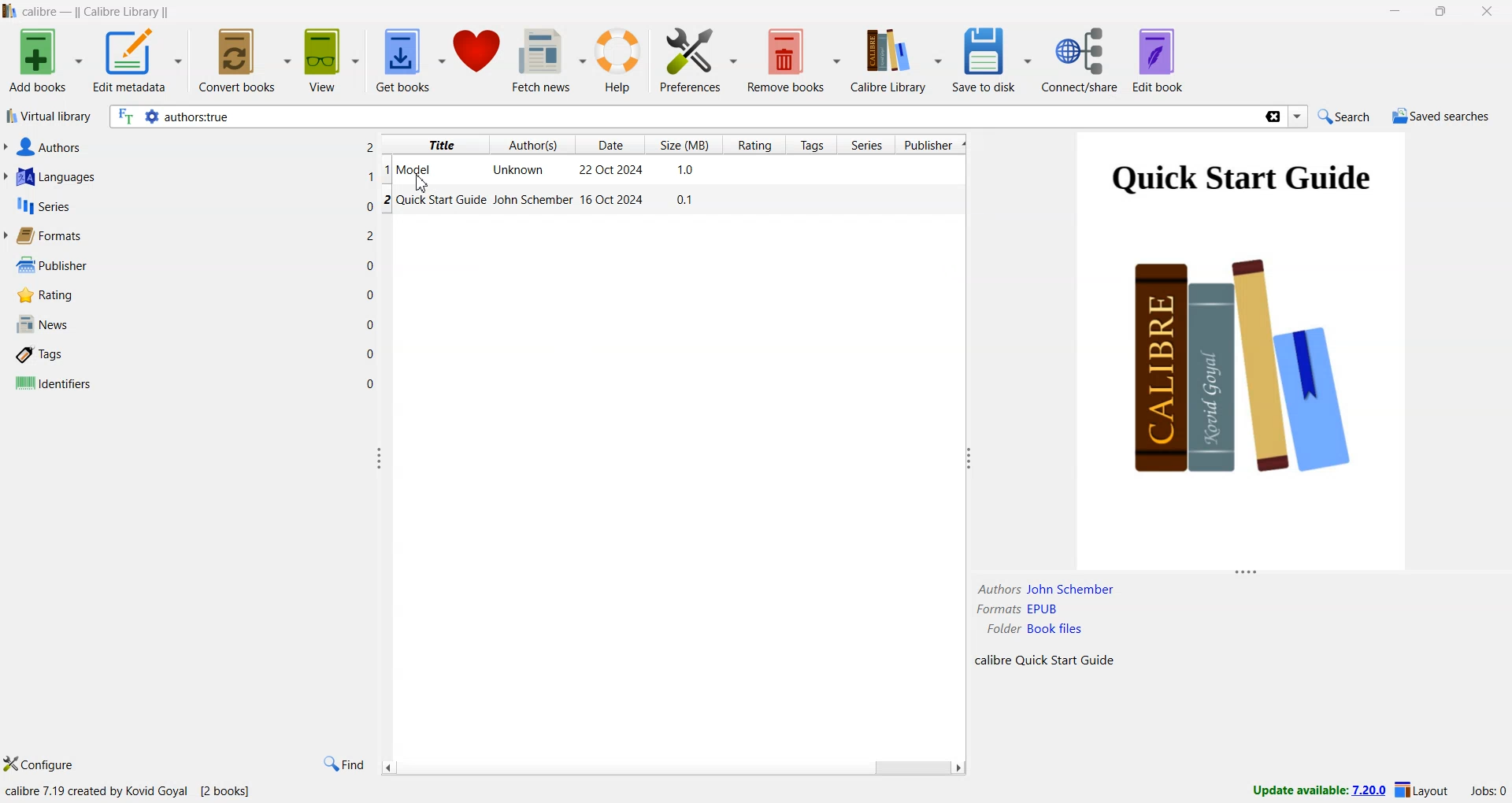 The width and height of the screenshot is (1512, 803). What do you see at coordinates (1272, 118) in the screenshot?
I see `clear search` at bounding box center [1272, 118].